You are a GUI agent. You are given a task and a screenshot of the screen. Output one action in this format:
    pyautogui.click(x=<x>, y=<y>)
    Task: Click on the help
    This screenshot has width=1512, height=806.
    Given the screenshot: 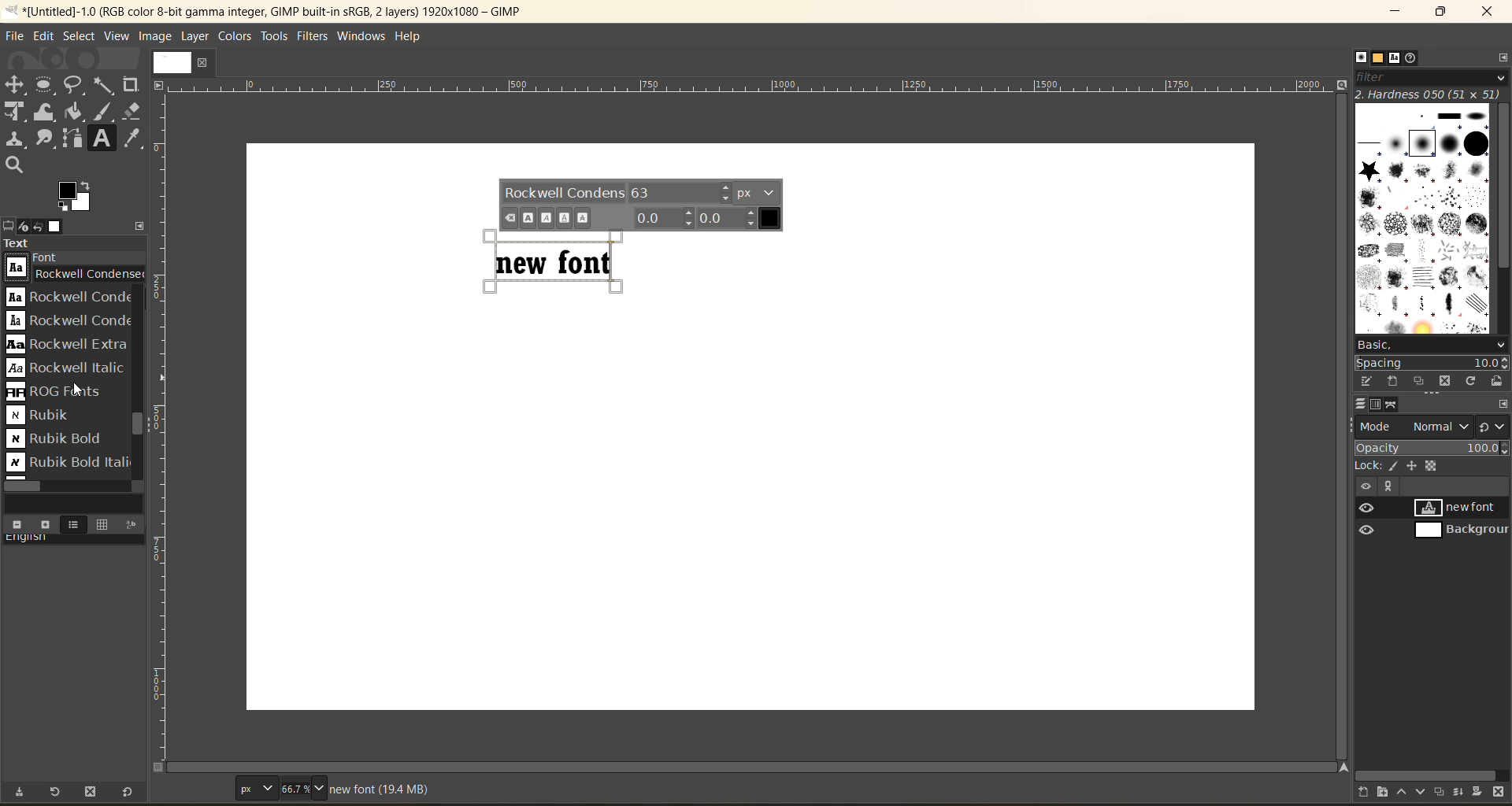 What is the action you would take?
    pyautogui.click(x=413, y=37)
    